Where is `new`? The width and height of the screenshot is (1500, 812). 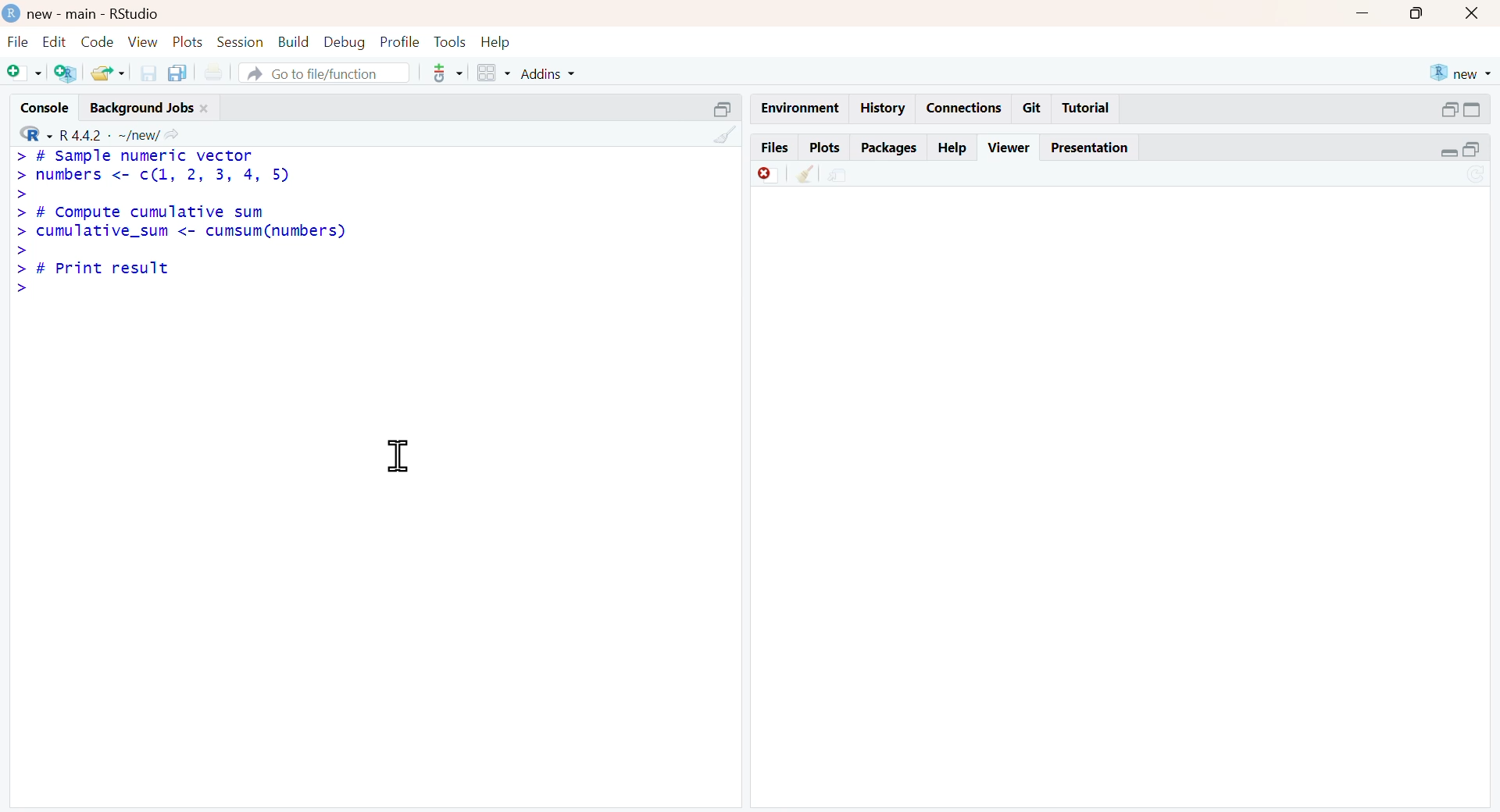
new is located at coordinates (1462, 73).